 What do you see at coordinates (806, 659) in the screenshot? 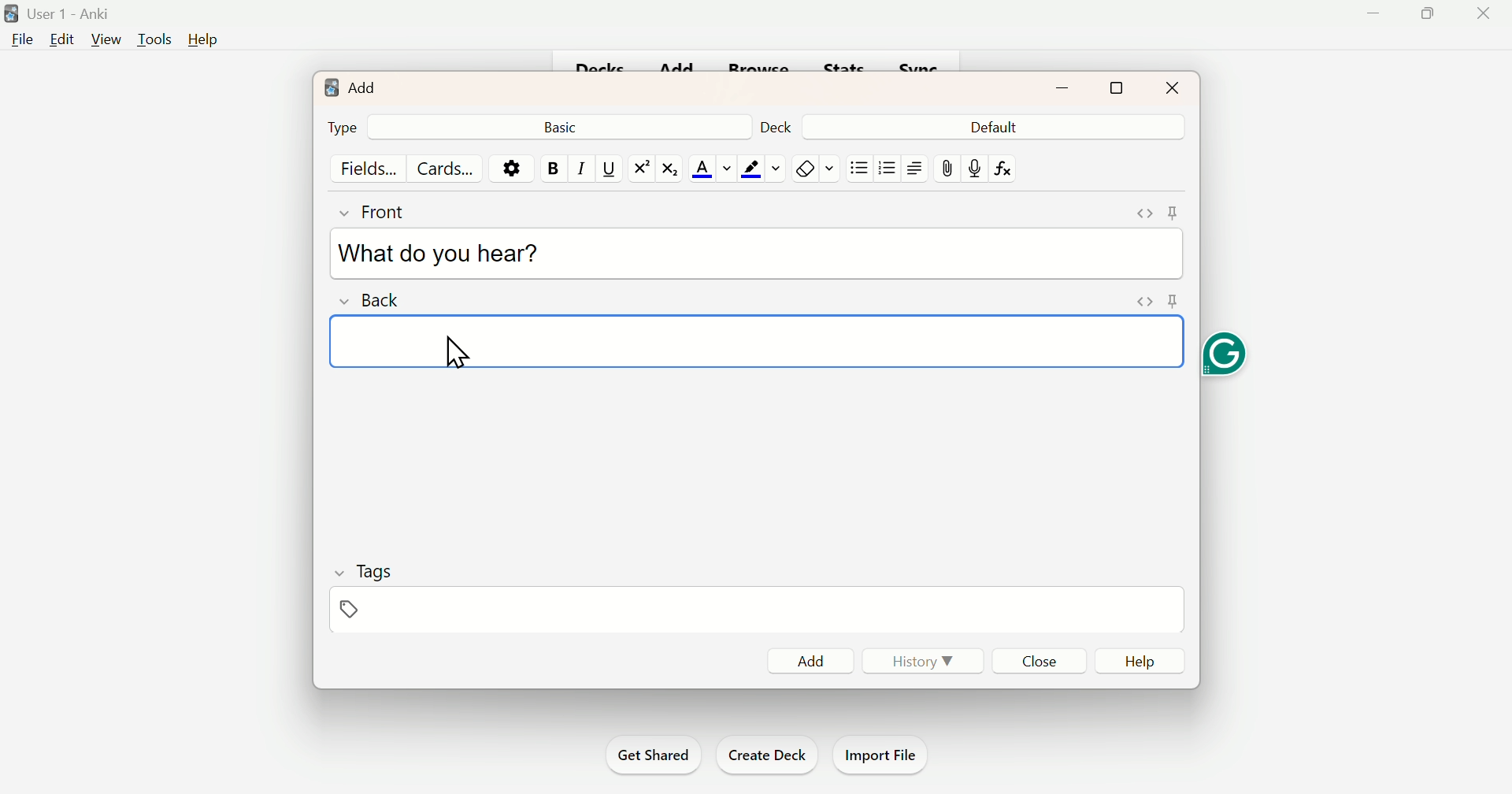
I see `Add` at bounding box center [806, 659].